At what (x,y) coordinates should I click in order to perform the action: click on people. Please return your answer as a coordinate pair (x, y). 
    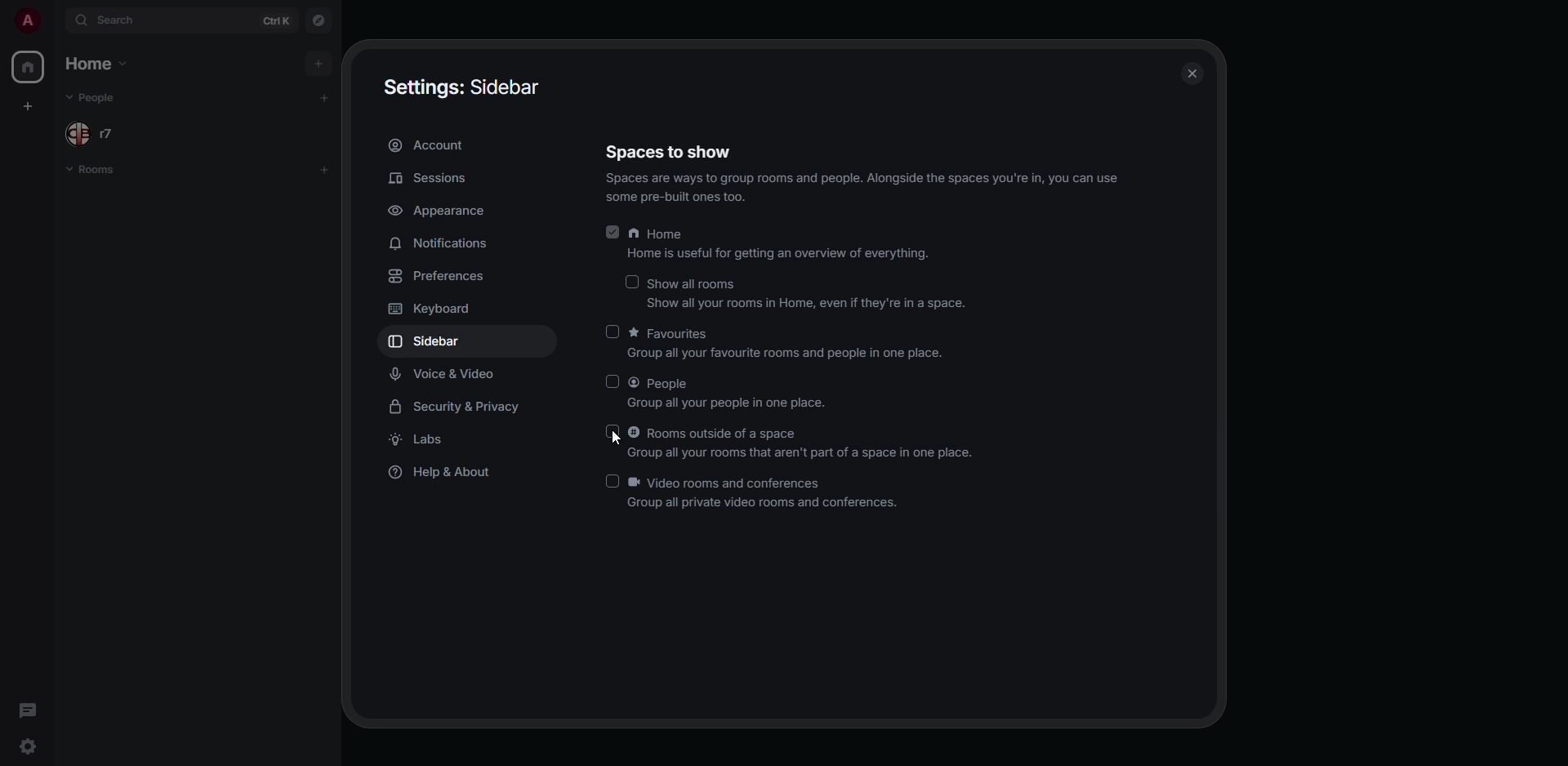
    Looking at the image, I should click on (95, 96).